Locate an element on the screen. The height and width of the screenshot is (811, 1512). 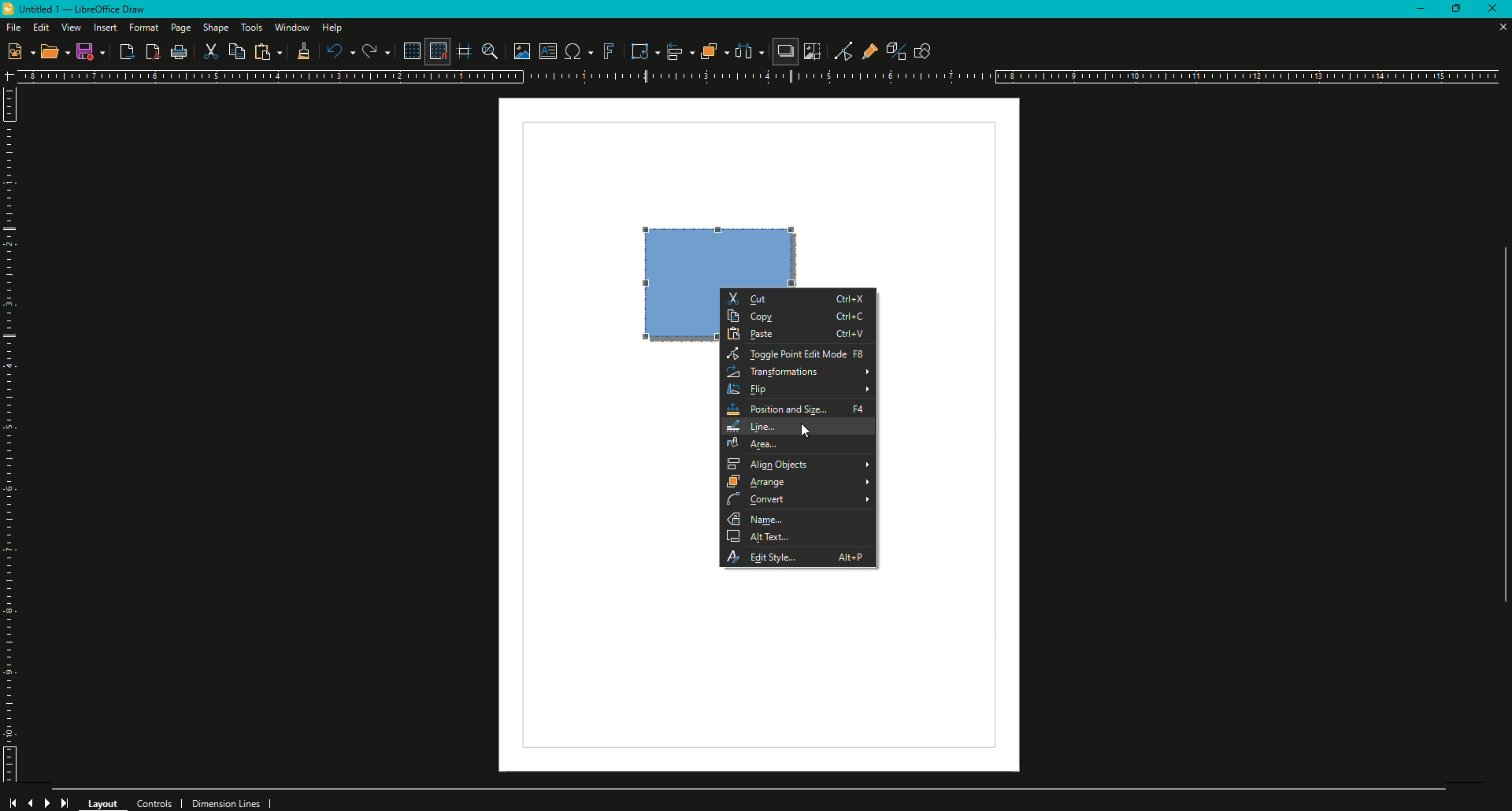
Show Draw Function is located at coordinates (922, 50).